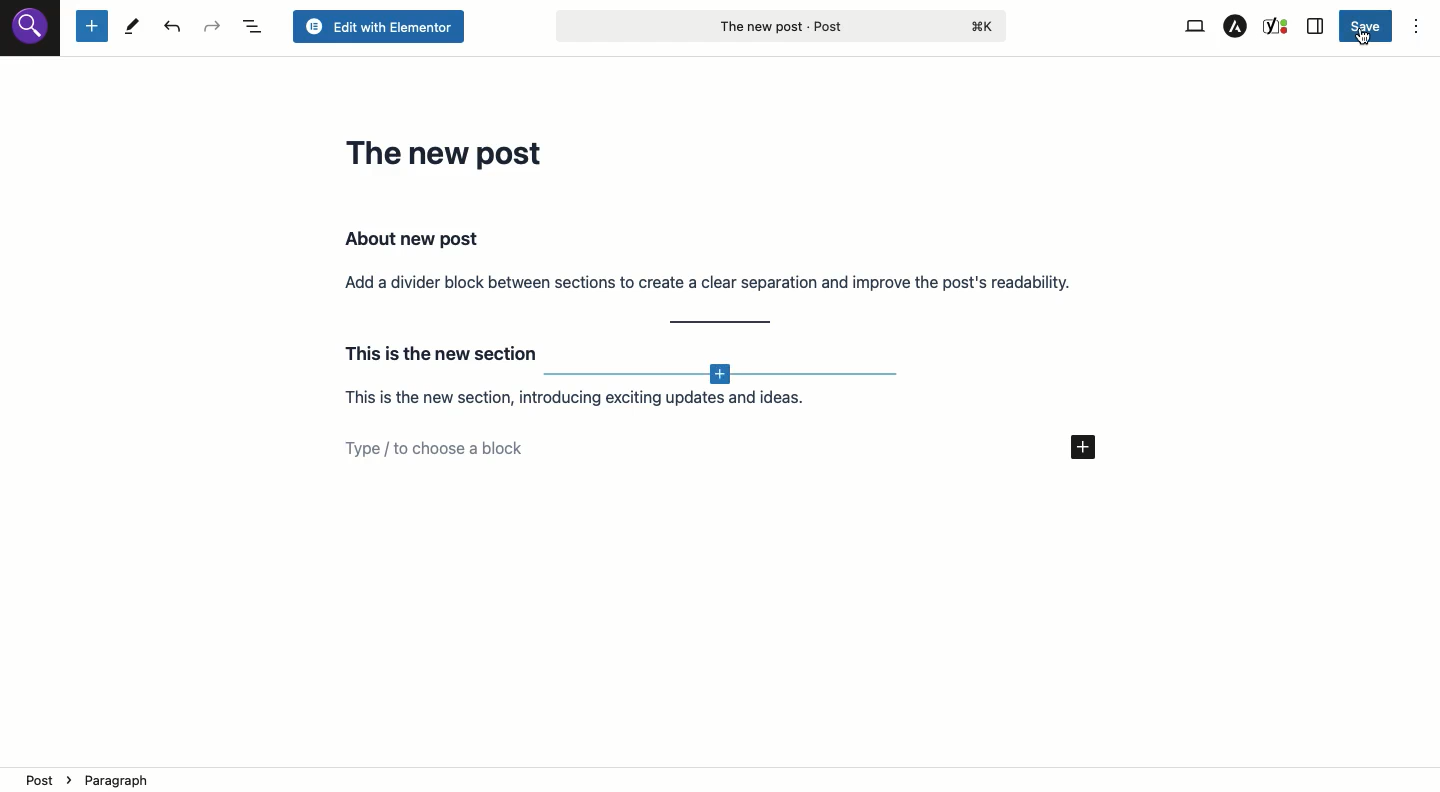 This screenshot has width=1440, height=792. What do you see at coordinates (1236, 27) in the screenshot?
I see `Astar` at bounding box center [1236, 27].